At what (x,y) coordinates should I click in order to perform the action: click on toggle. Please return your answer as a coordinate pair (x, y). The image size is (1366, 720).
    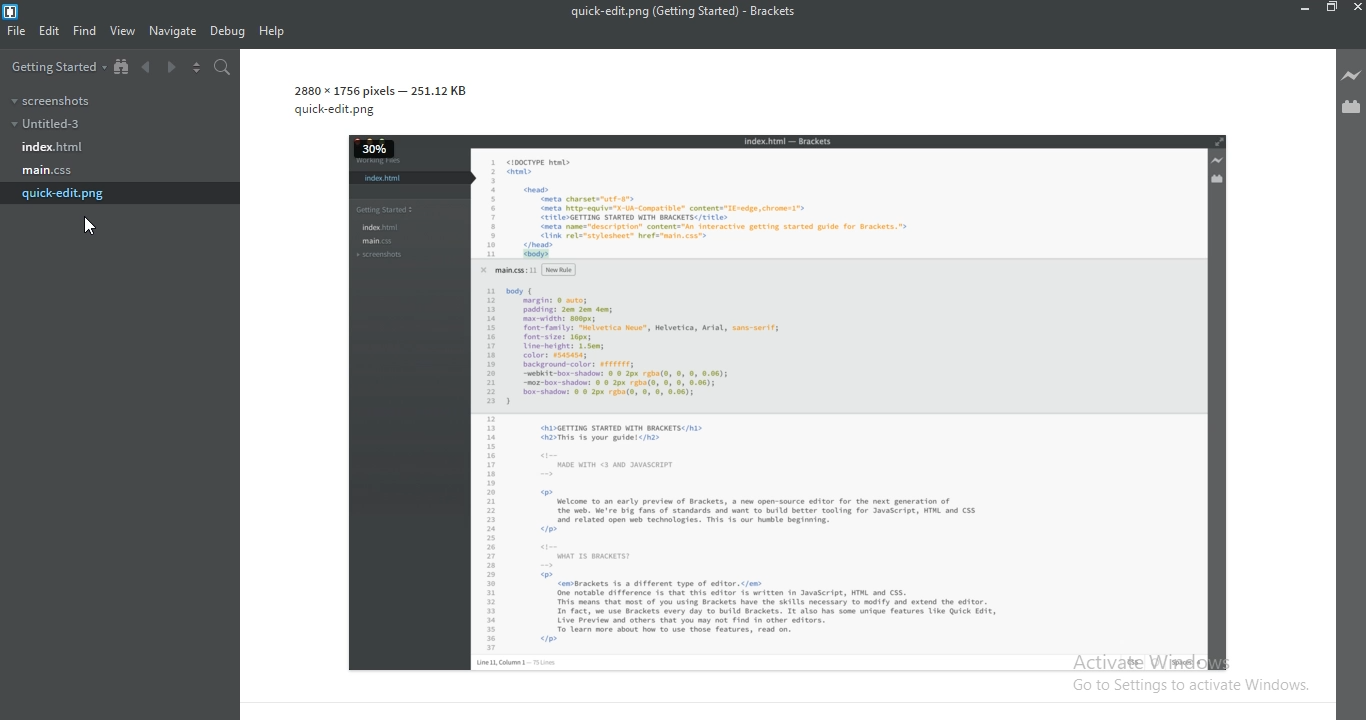
    Looking at the image, I should click on (196, 67).